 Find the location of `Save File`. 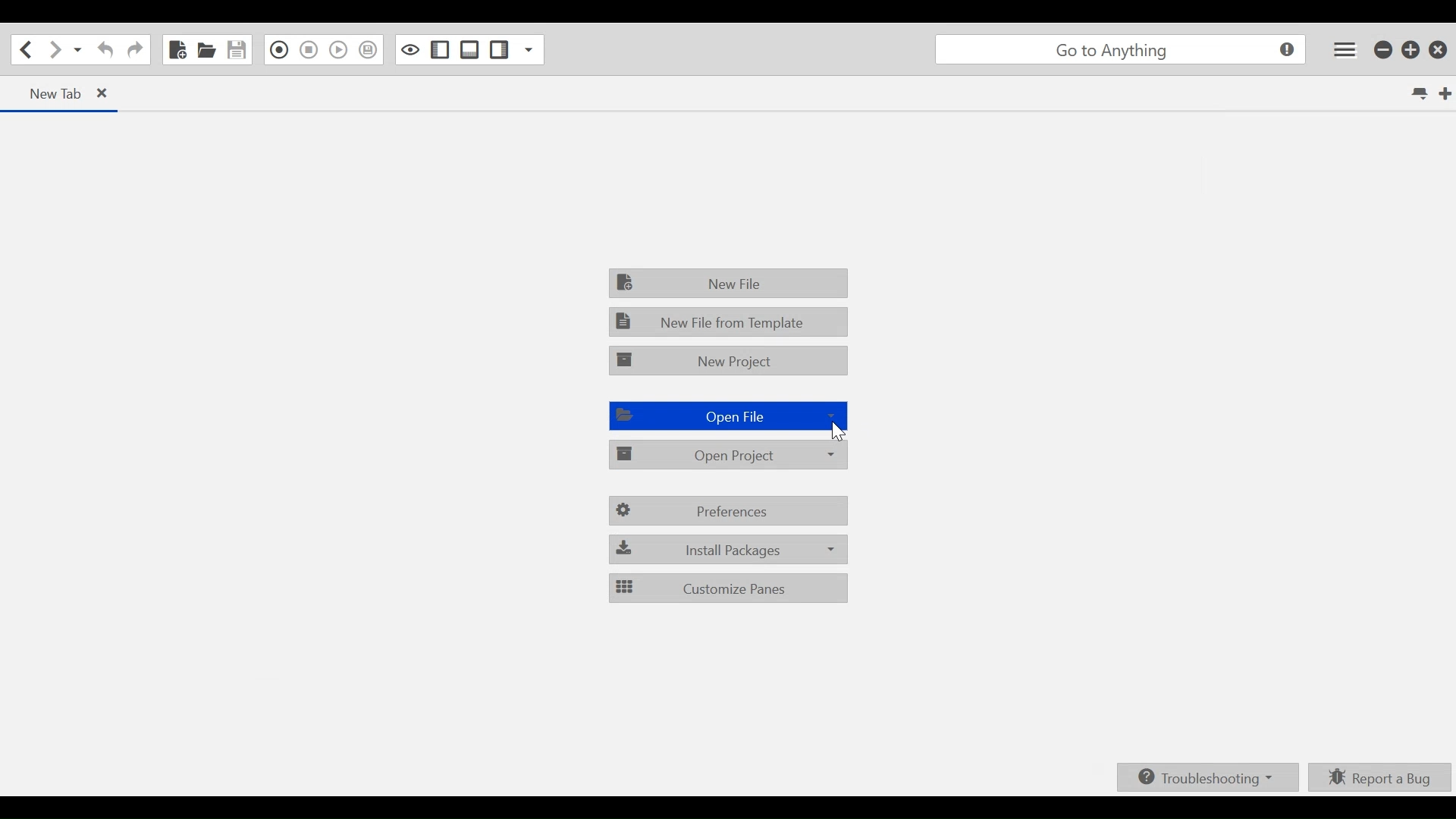

Save File is located at coordinates (238, 50).